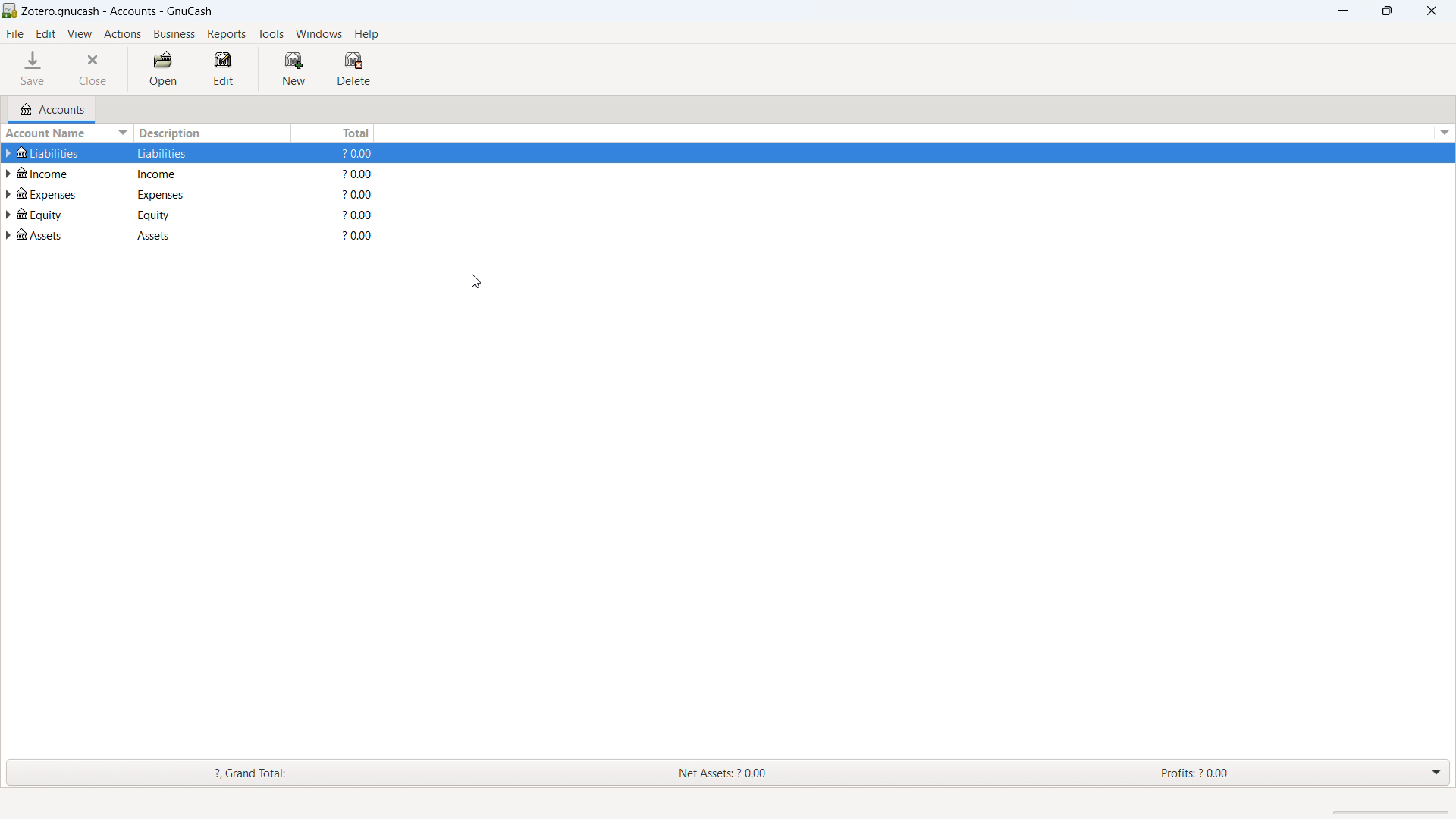 The image size is (1456, 819). I want to click on new, so click(293, 68).